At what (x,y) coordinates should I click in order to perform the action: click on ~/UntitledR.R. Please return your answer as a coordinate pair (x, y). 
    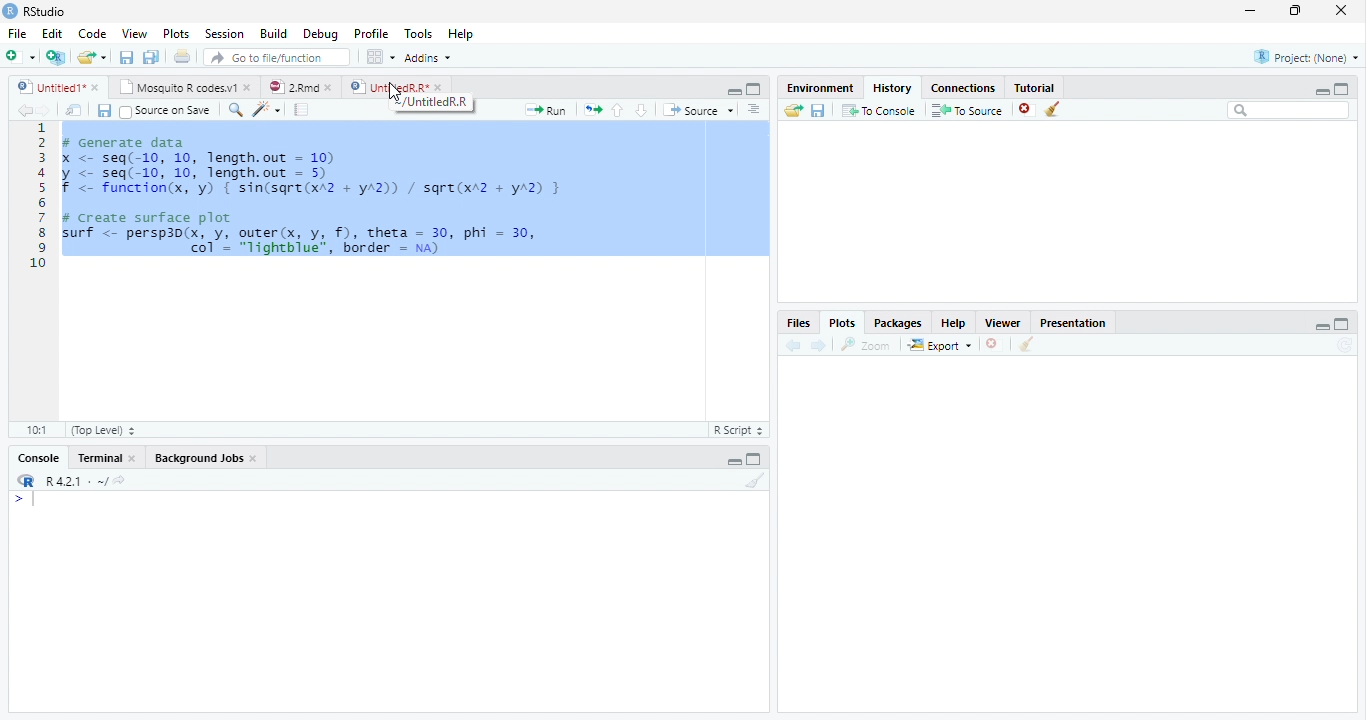
    Looking at the image, I should click on (431, 102).